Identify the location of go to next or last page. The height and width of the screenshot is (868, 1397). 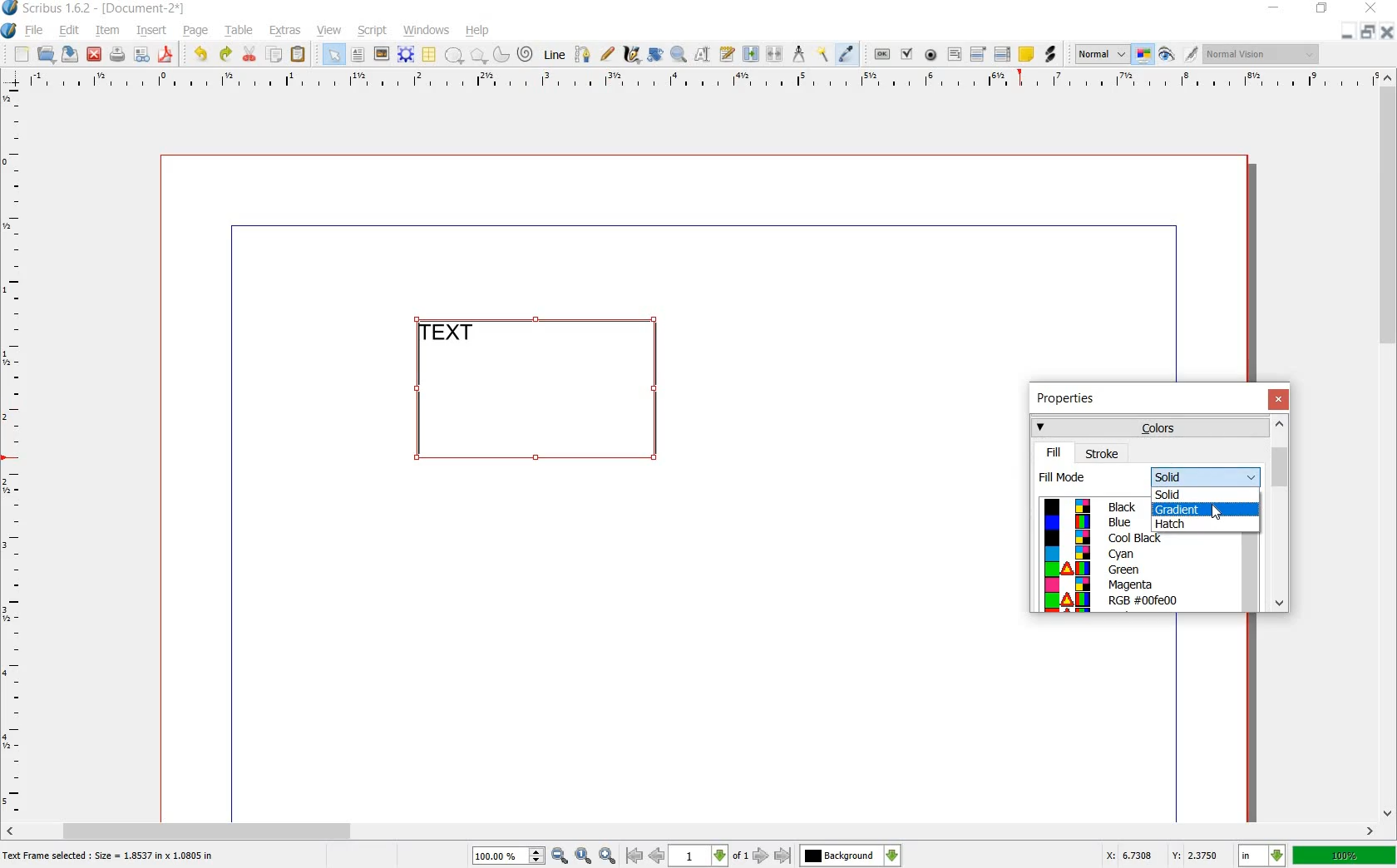
(771, 856).